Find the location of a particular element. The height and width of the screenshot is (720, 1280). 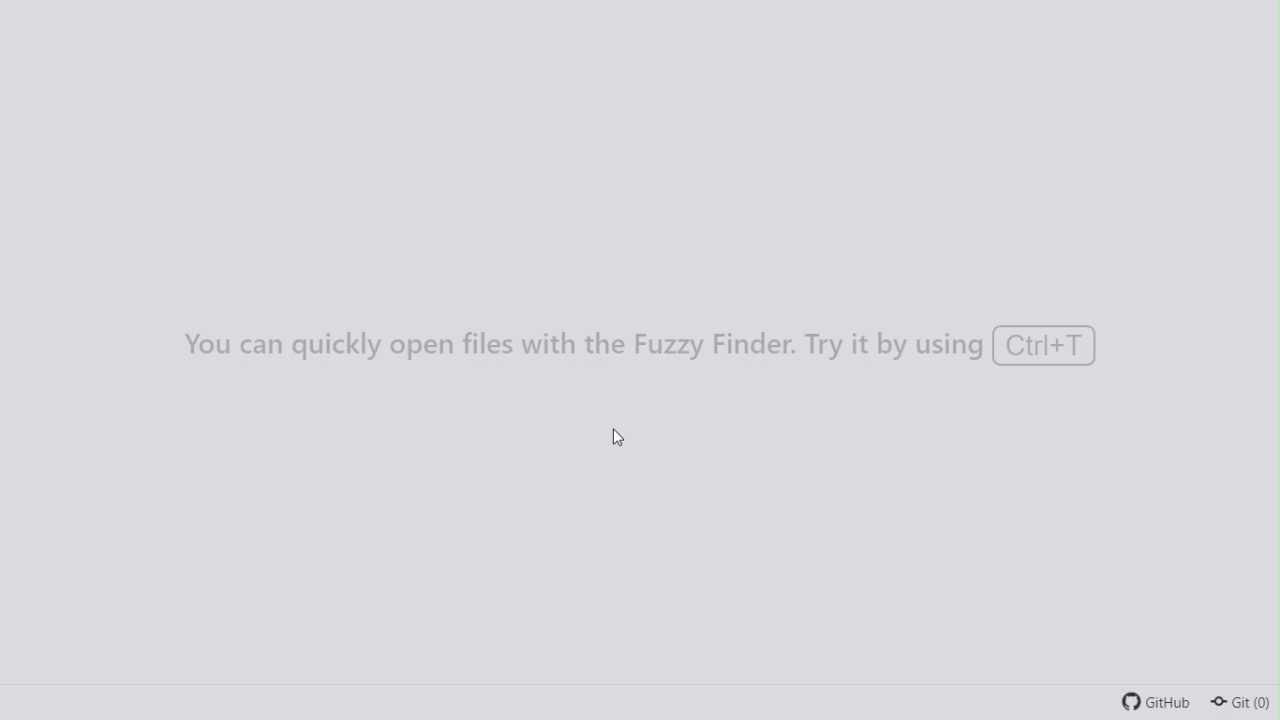

cursor is located at coordinates (611, 440).